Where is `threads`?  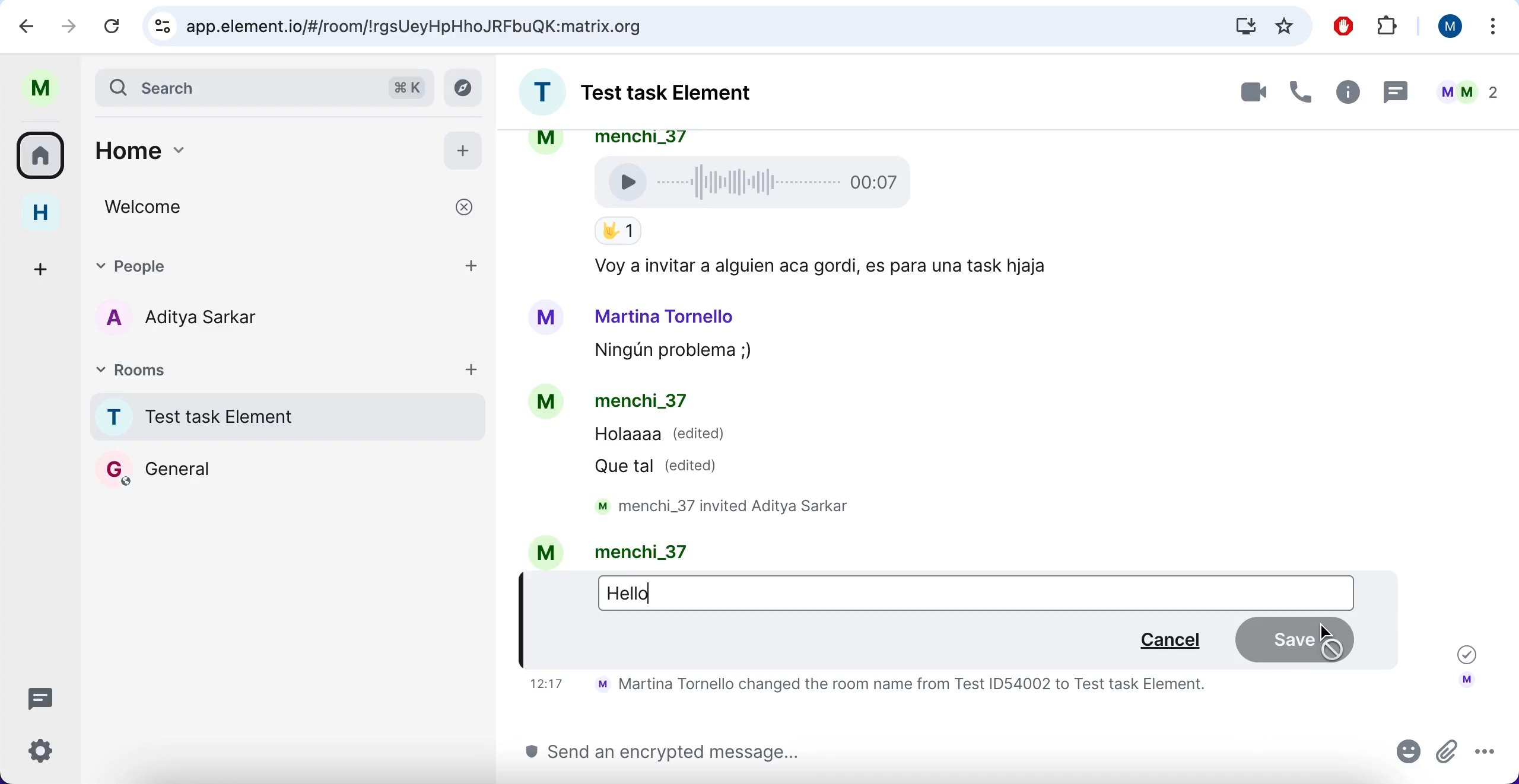 threads is located at coordinates (43, 696).